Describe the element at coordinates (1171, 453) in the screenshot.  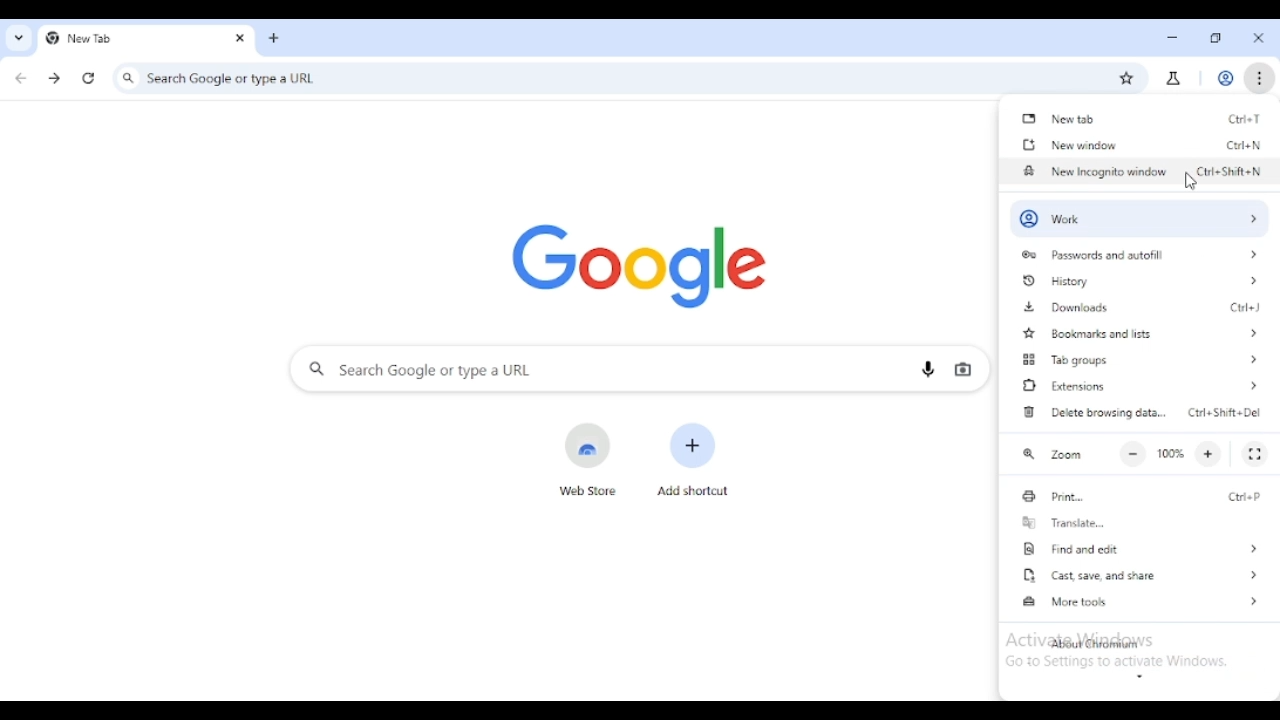
I see `100%` at that location.